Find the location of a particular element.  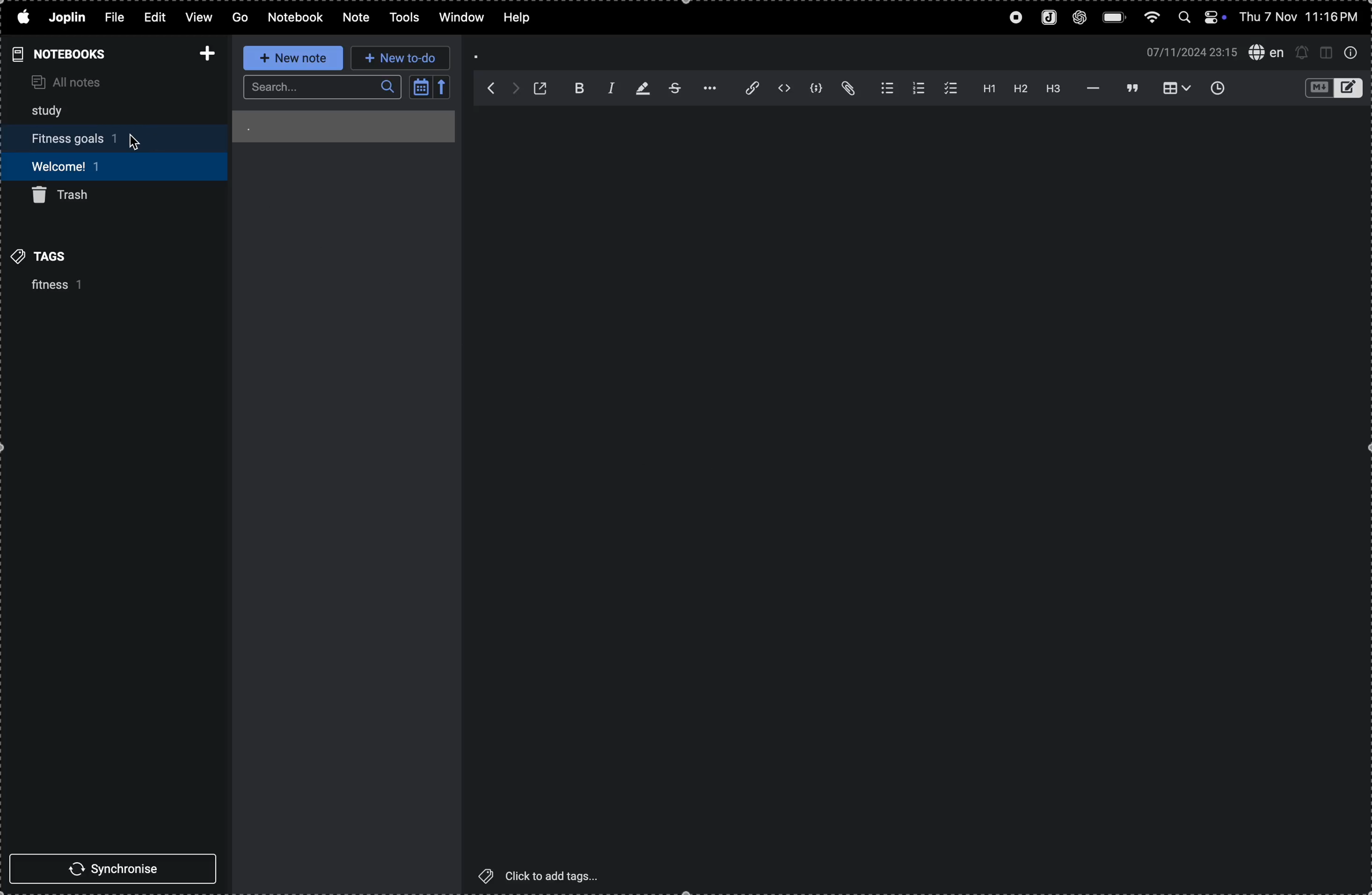

options is located at coordinates (706, 88).